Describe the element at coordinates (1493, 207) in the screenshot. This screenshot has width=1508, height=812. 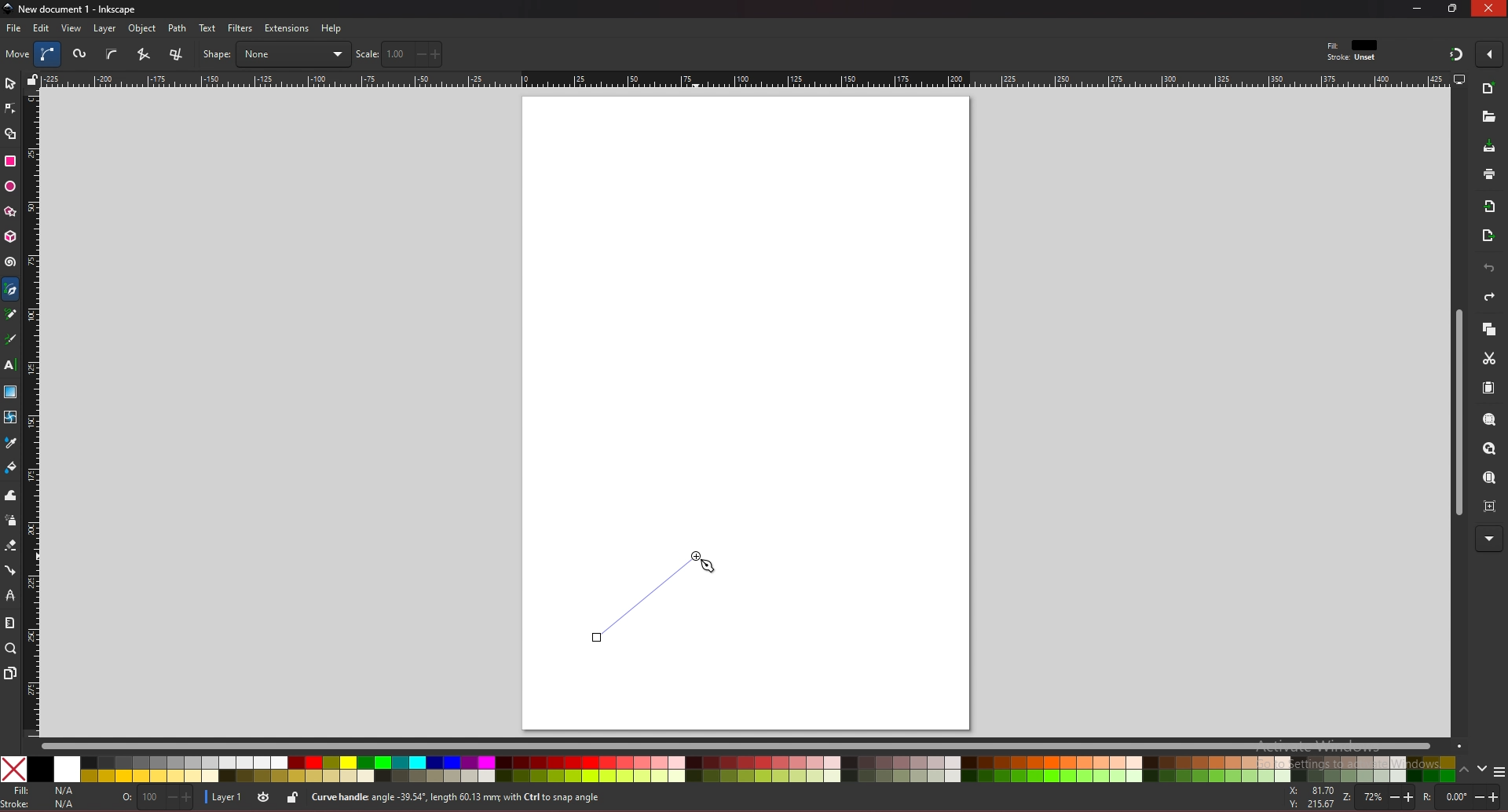
I see `import` at that location.